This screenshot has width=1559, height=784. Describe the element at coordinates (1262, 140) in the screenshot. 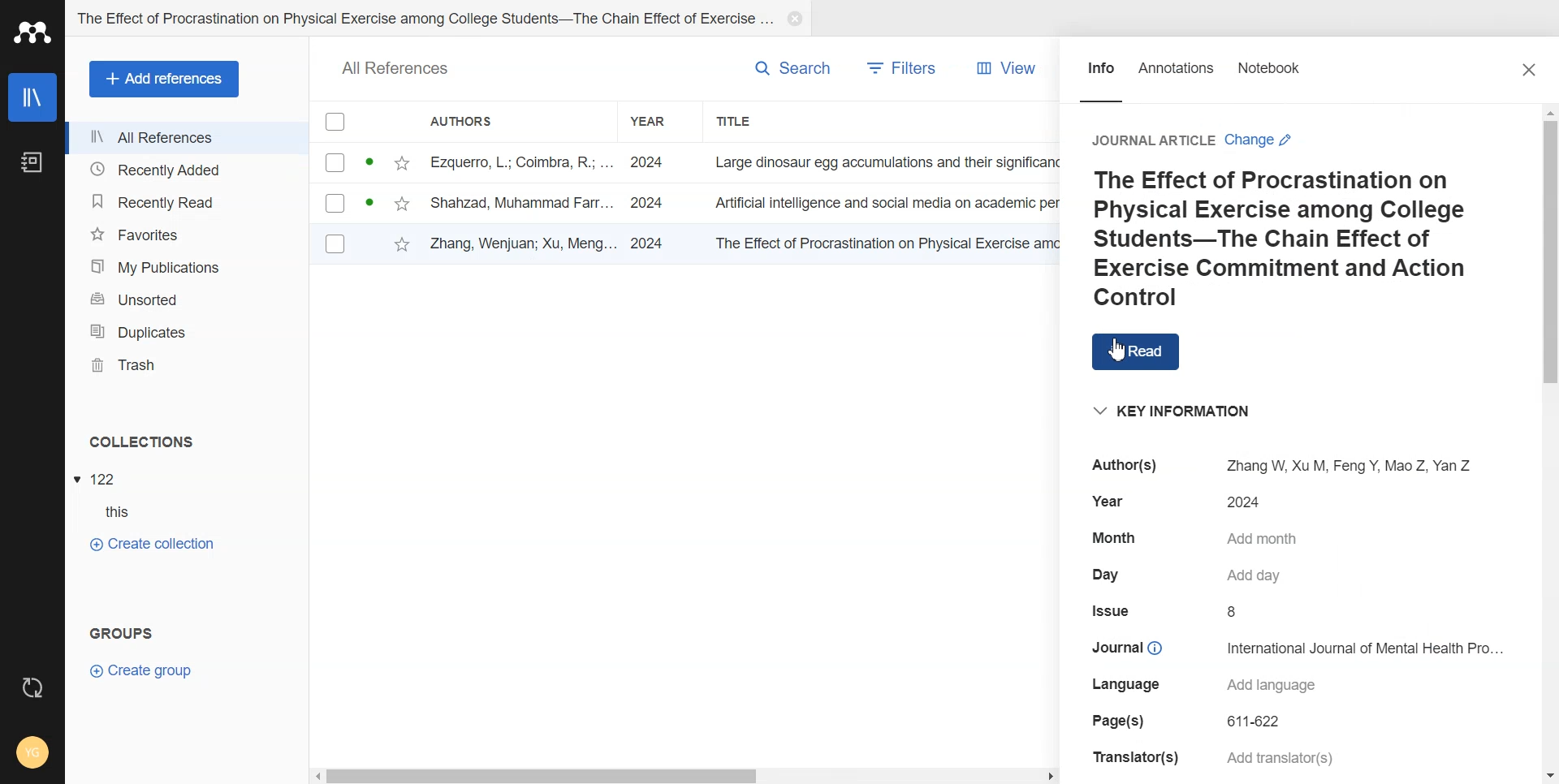

I see `Change` at that location.